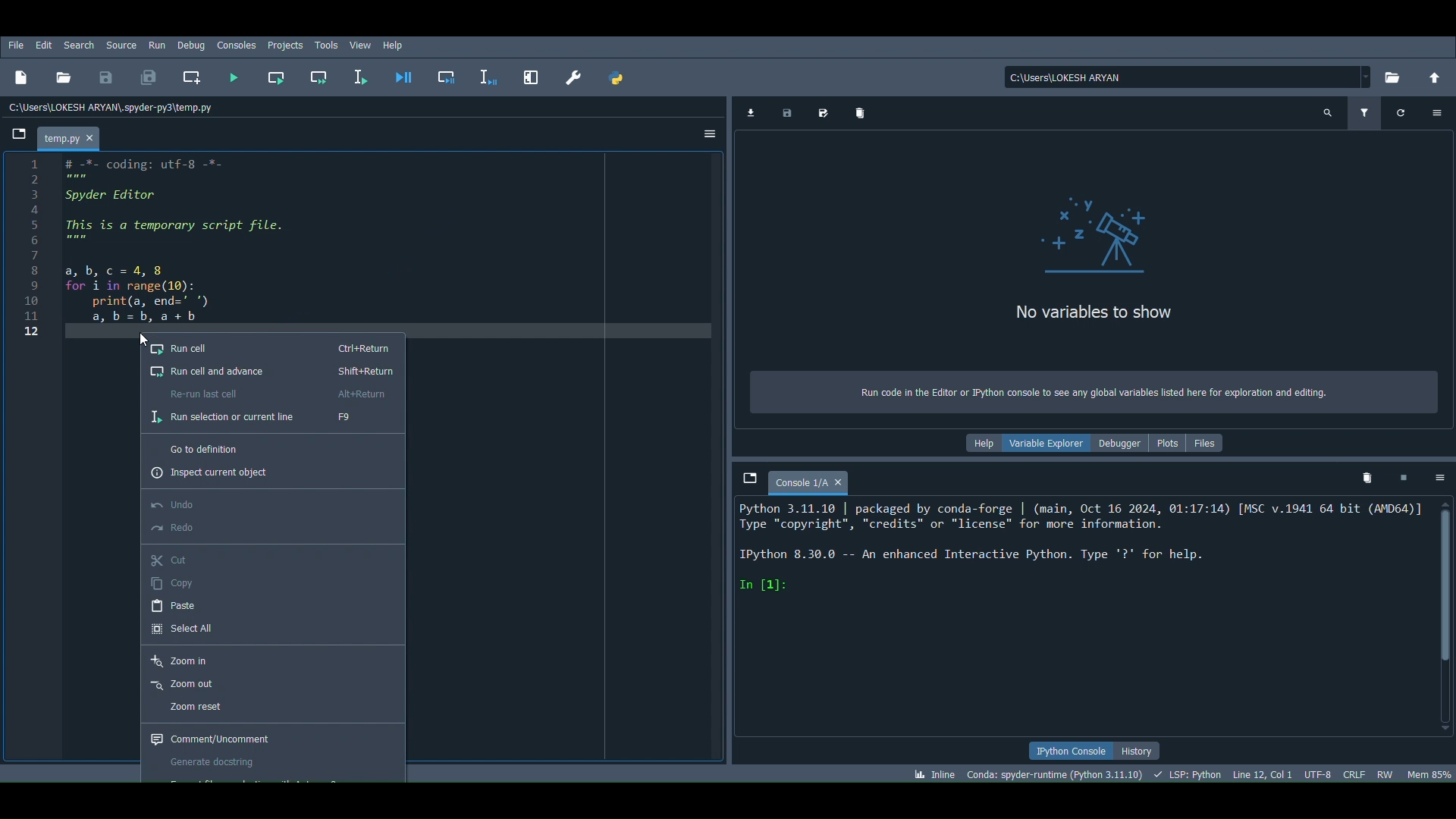 Image resolution: width=1456 pixels, height=819 pixels. What do you see at coordinates (362, 74) in the screenshot?
I see `Run selection or current line (F9)` at bounding box center [362, 74].